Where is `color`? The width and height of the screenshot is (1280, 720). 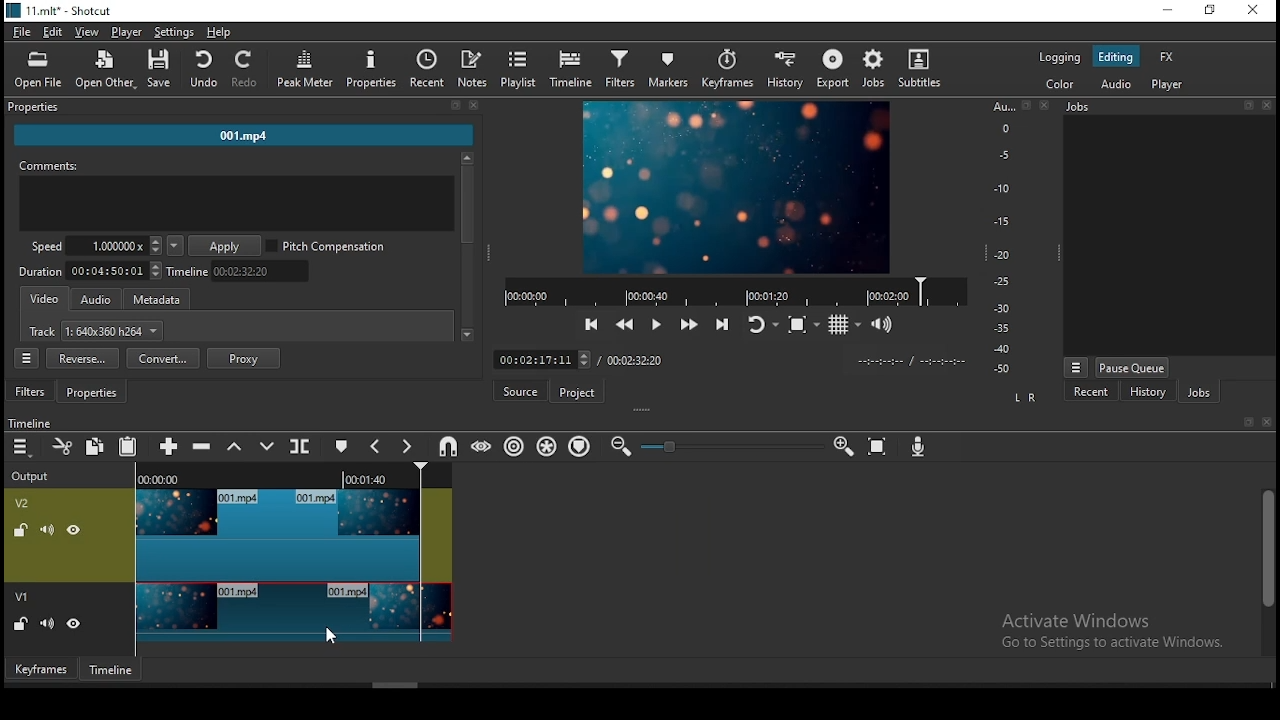
color is located at coordinates (1059, 82).